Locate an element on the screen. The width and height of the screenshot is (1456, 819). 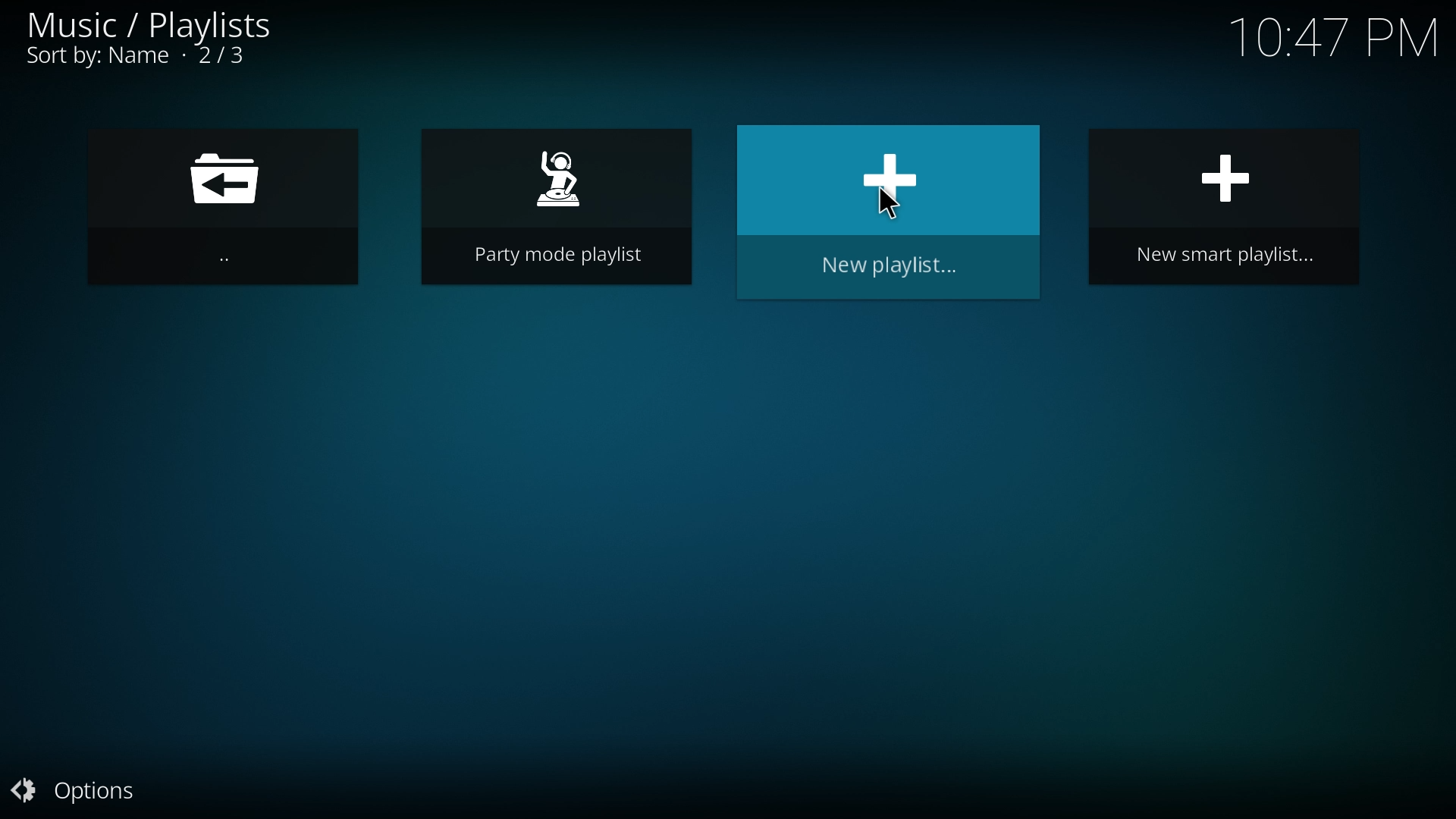
Cursor is located at coordinates (884, 204).